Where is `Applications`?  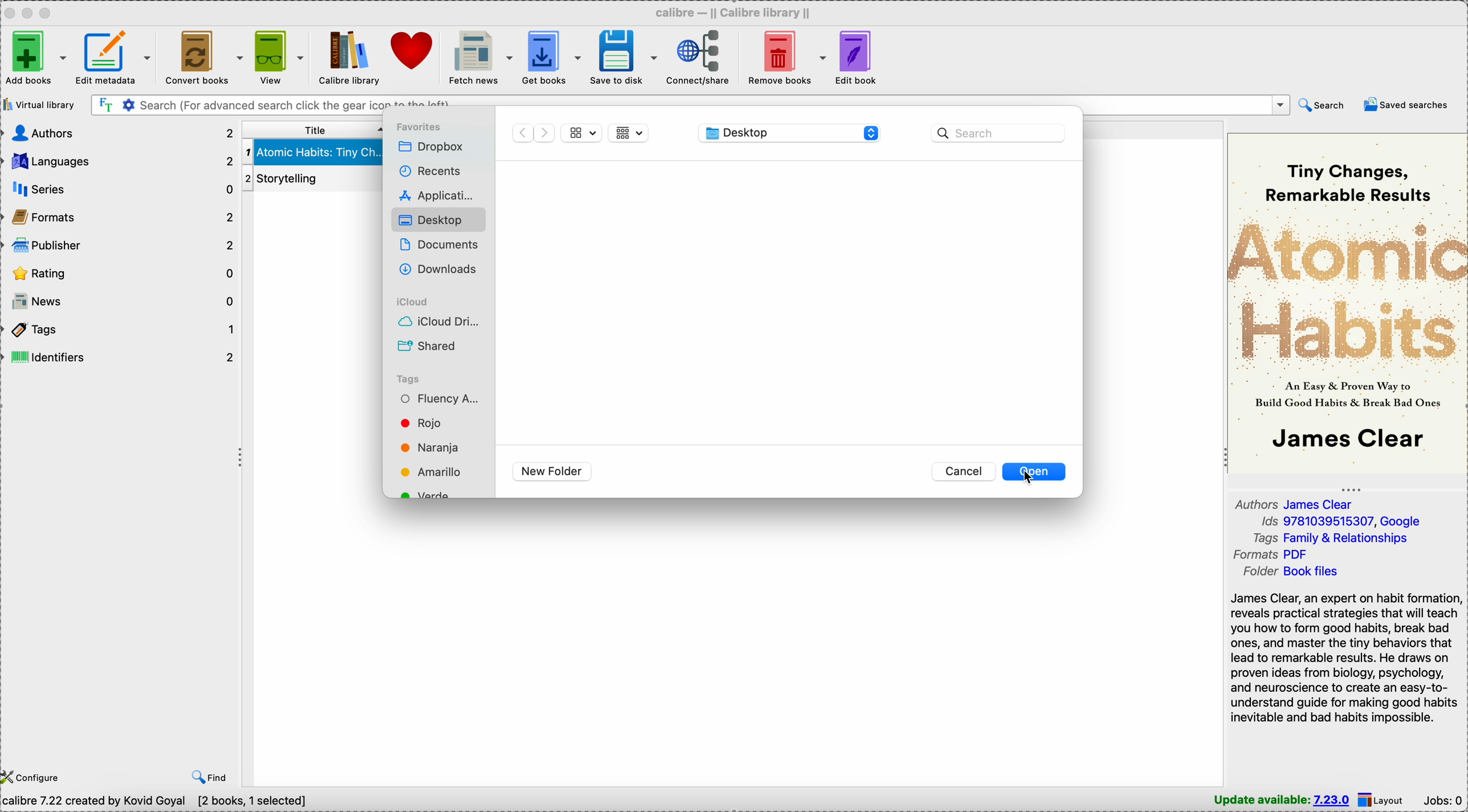
Applications is located at coordinates (438, 196).